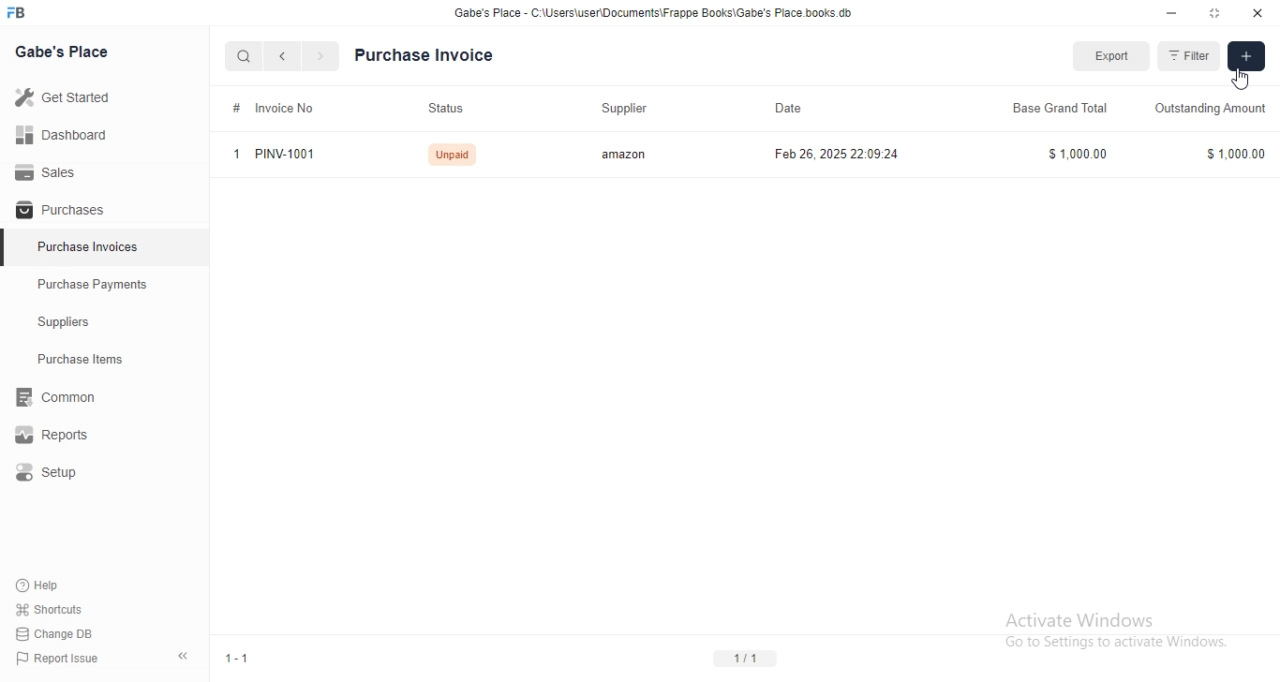 This screenshot has height=682, width=1280. I want to click on Add new Purchase Invoice, so click(1246, 56).